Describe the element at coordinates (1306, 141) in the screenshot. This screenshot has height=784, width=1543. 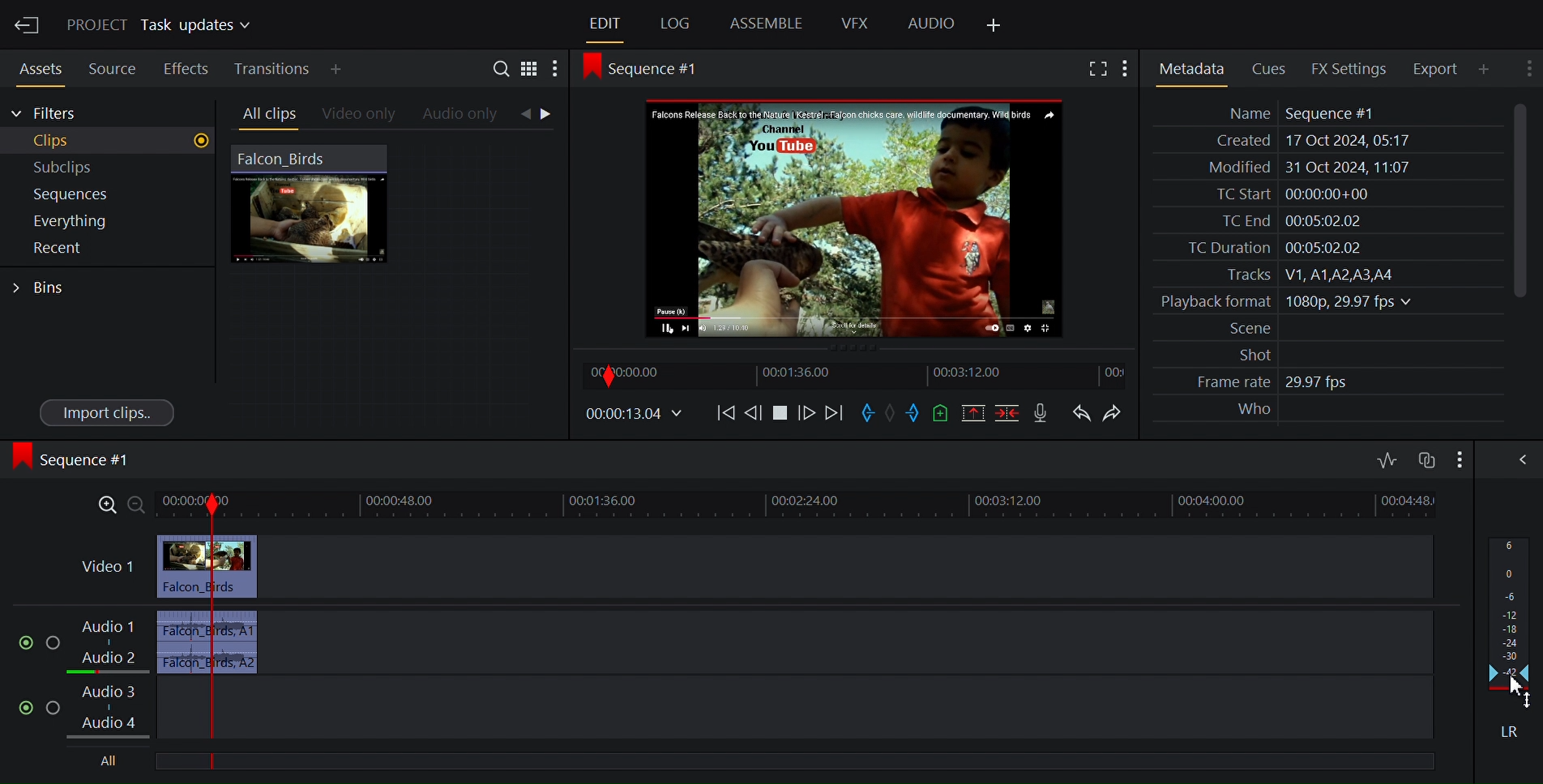
I see `Created 17 Oct 2024, 05:17` at that location.